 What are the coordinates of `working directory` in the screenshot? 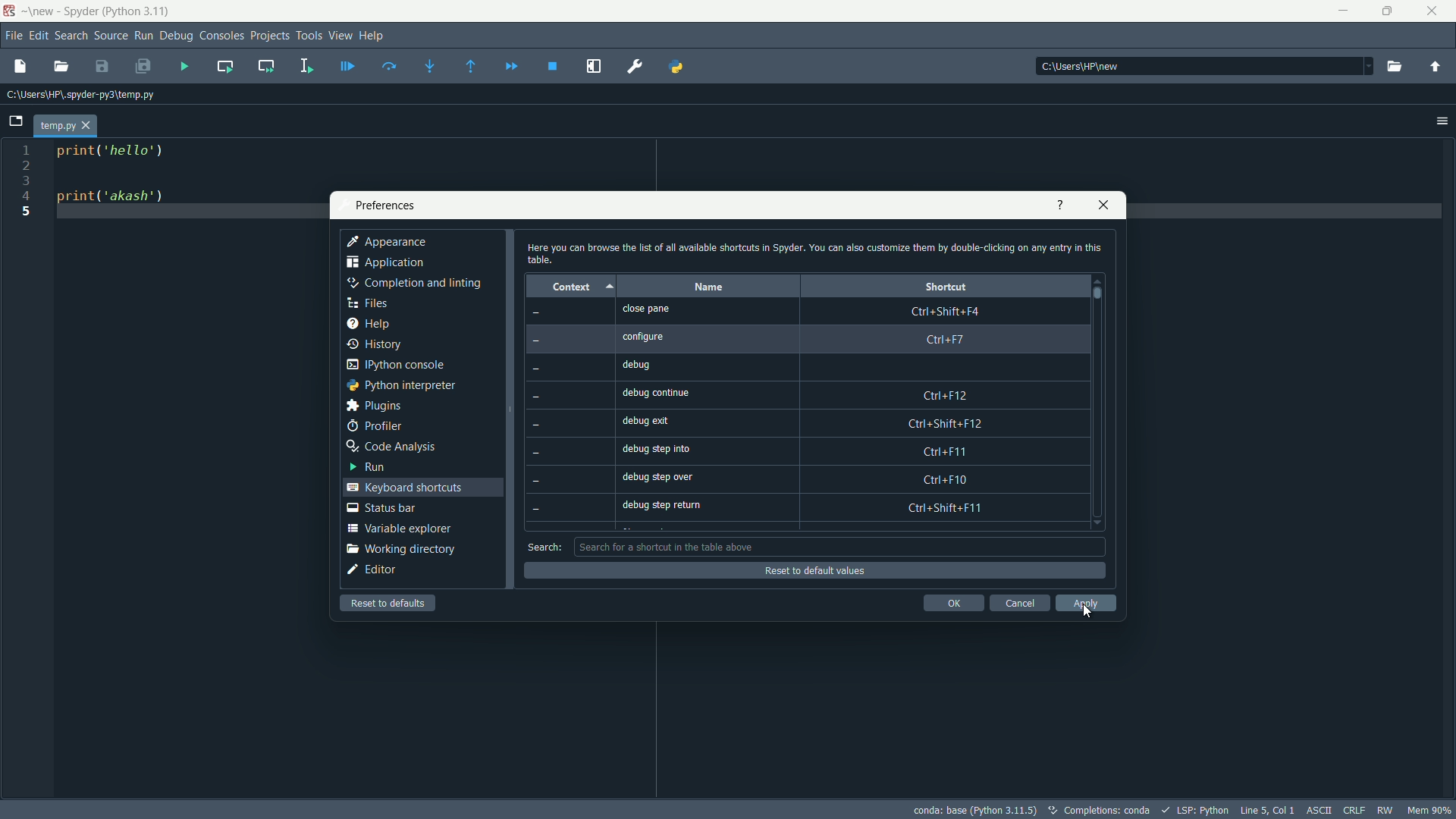 It's located at (400, 548).